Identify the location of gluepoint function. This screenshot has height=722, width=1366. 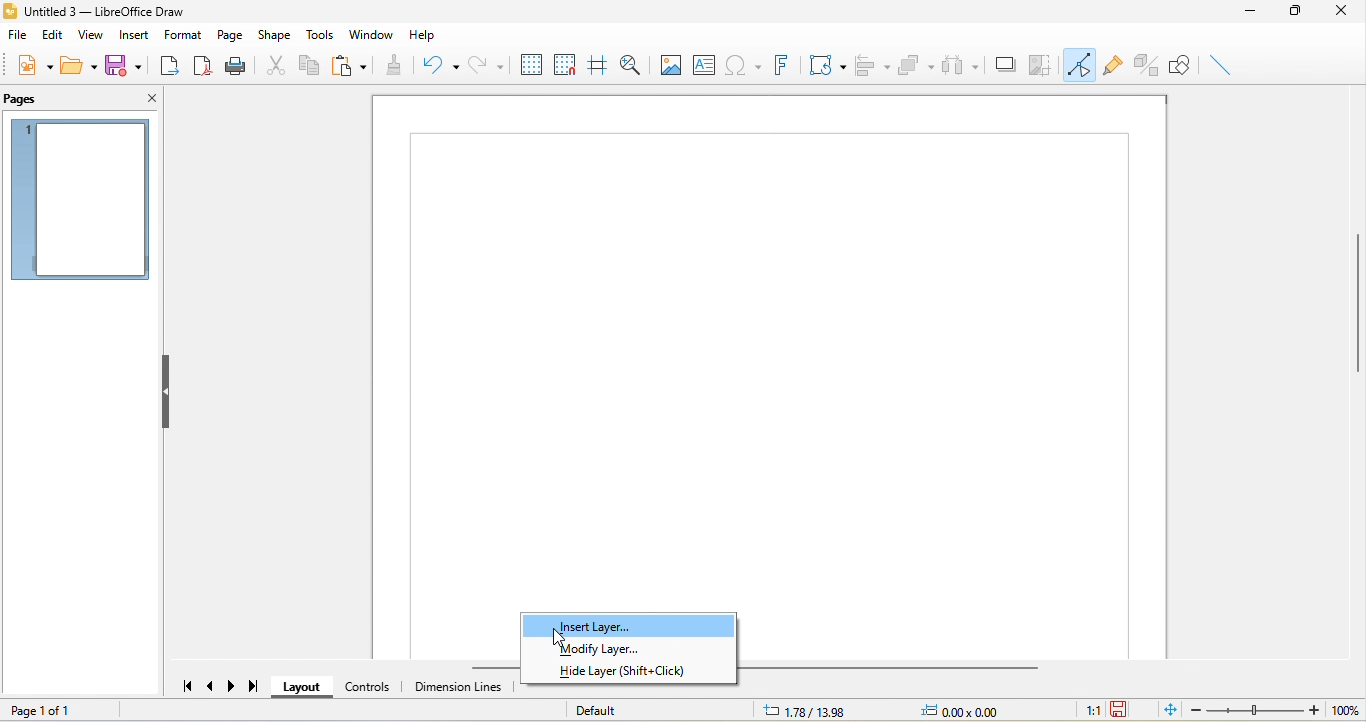
(1115, 65).